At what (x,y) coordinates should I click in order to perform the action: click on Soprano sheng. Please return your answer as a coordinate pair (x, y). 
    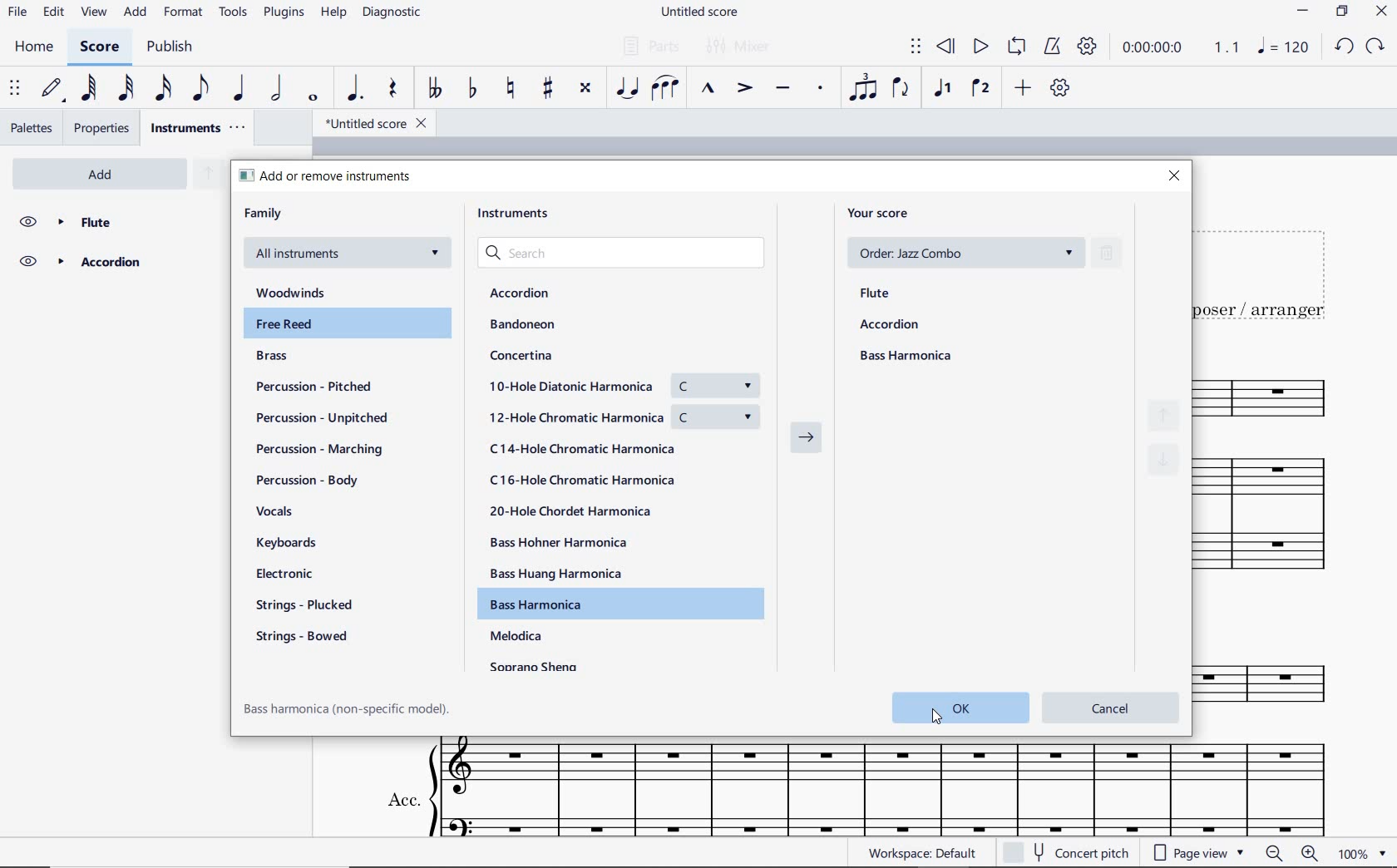
    Looking at the image, I should click on (542, 668).